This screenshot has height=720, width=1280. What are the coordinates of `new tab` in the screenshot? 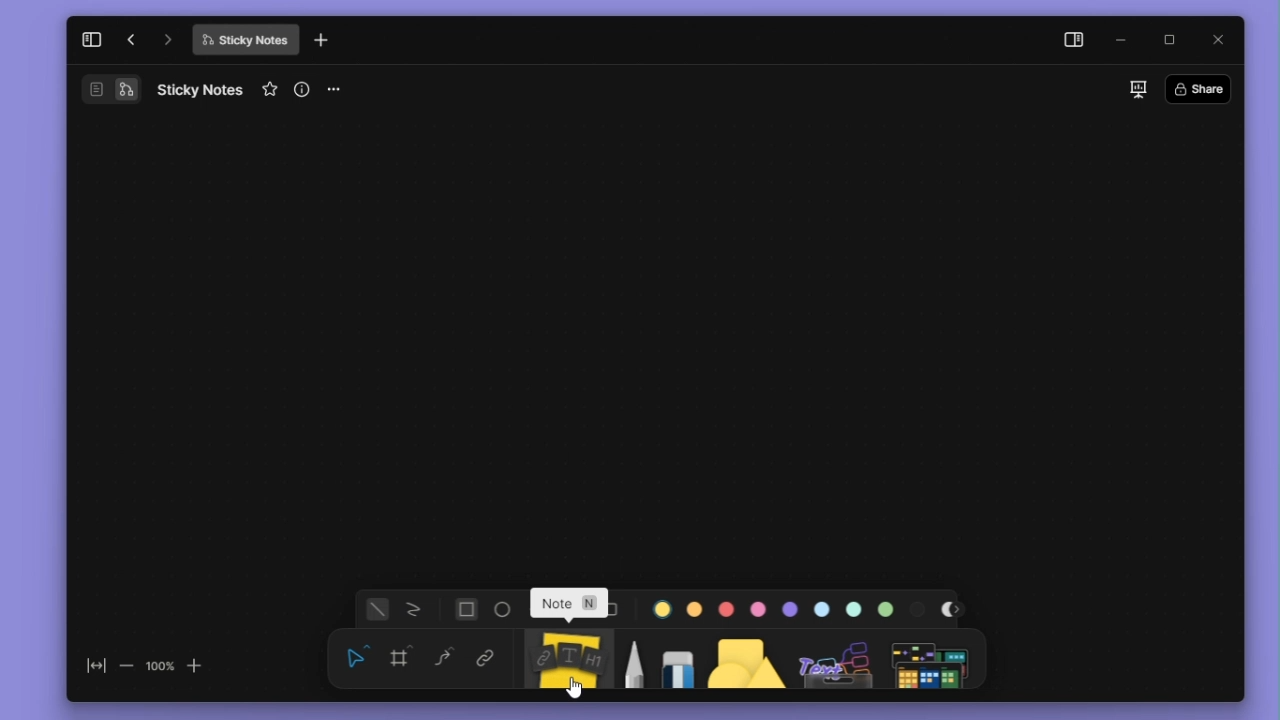 It's located at (330, 43).